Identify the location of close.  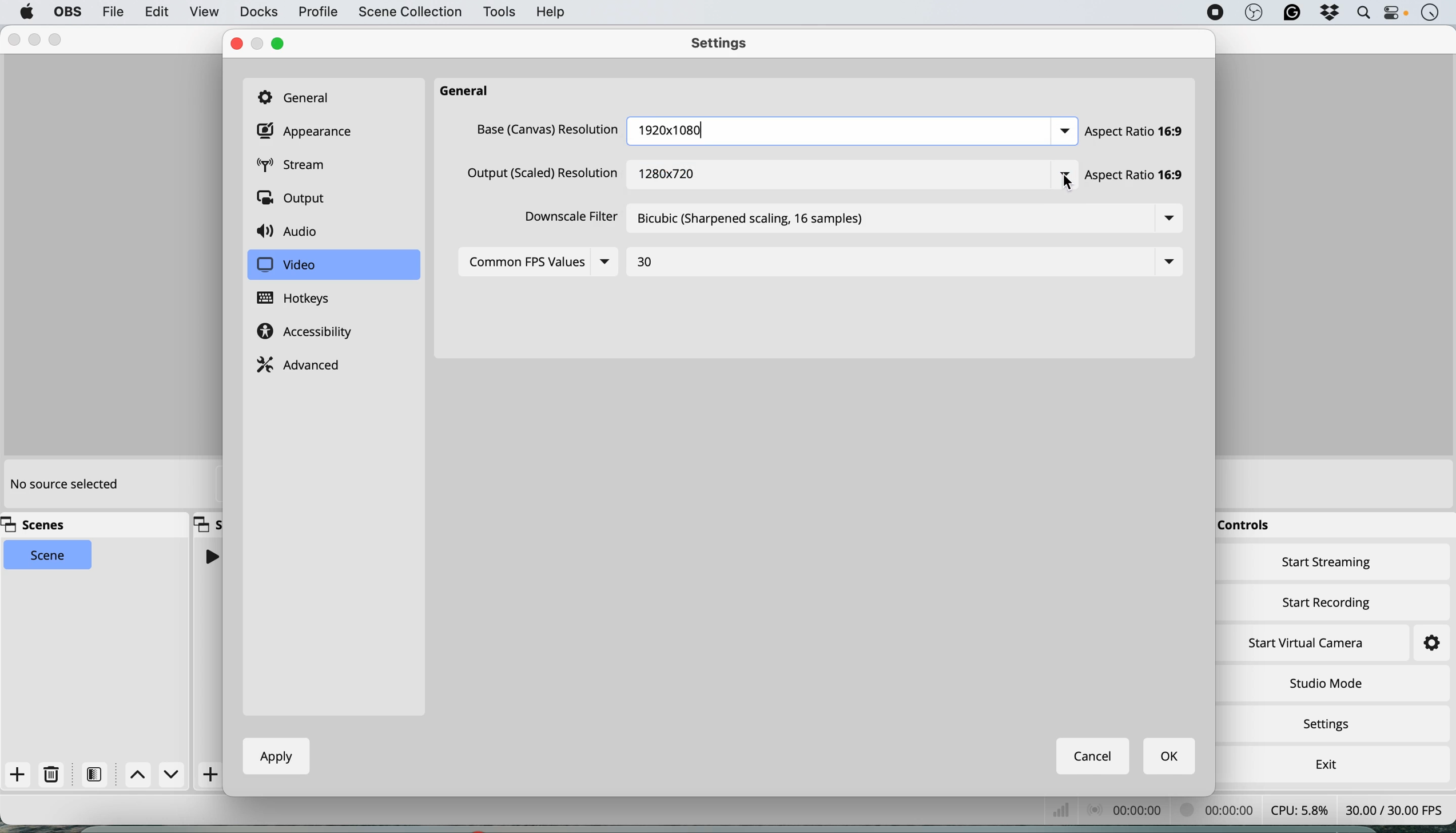
(14, 40).